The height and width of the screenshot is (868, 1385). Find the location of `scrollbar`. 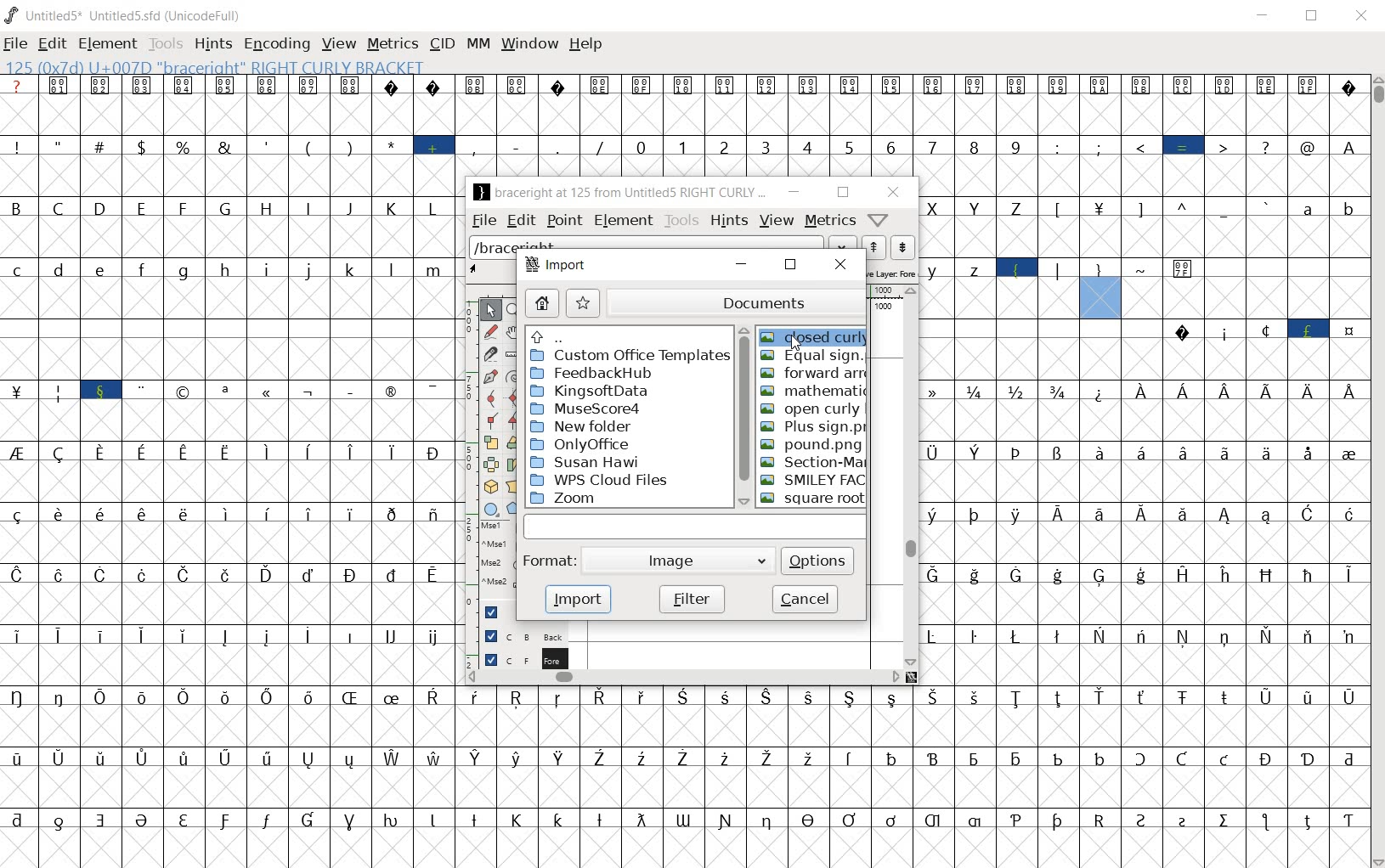

scrollbar is located at coordinates (743, 419).